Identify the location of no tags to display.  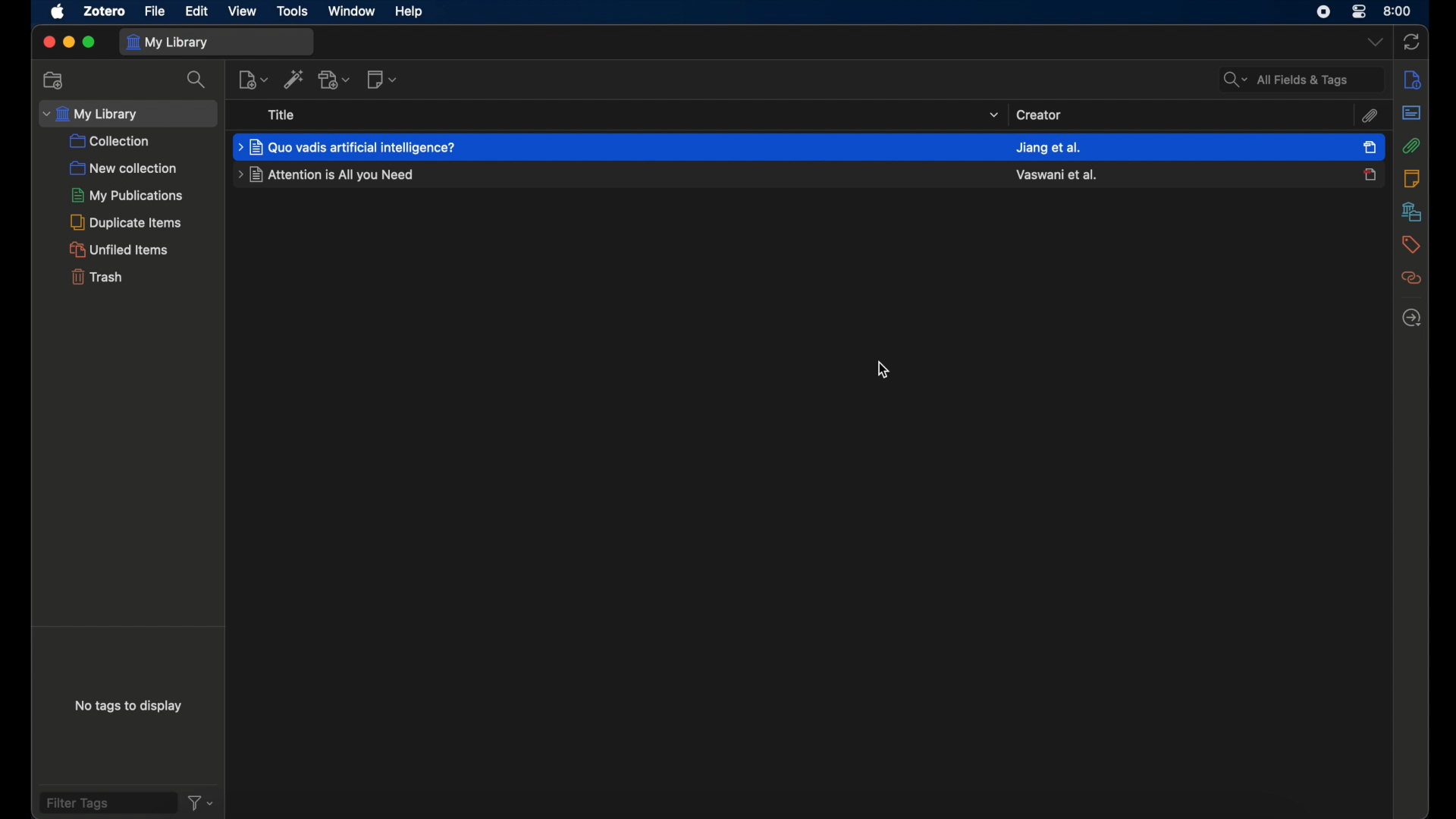
(129, 709).